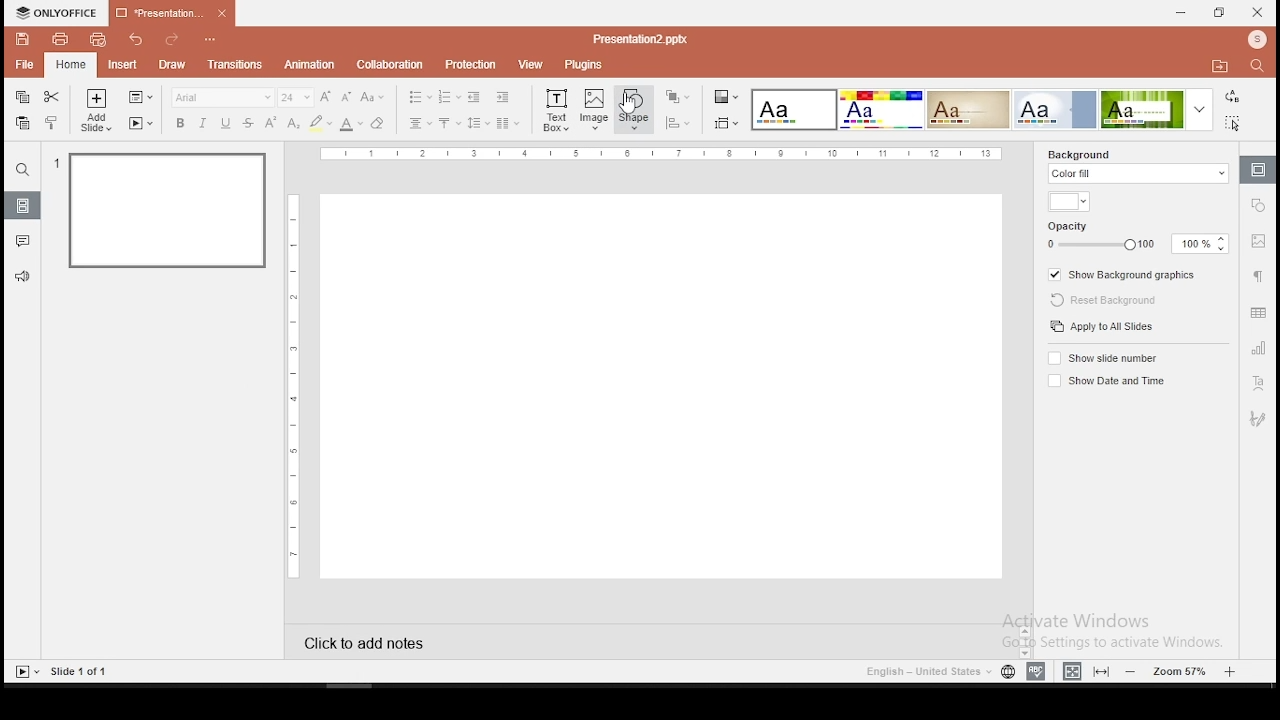 The height and width of the screenshot is (720, 1280). What do you see at coordinates (382, 641) in the screenshot?
I see `click to add notes` at bounding box center [382, 641].